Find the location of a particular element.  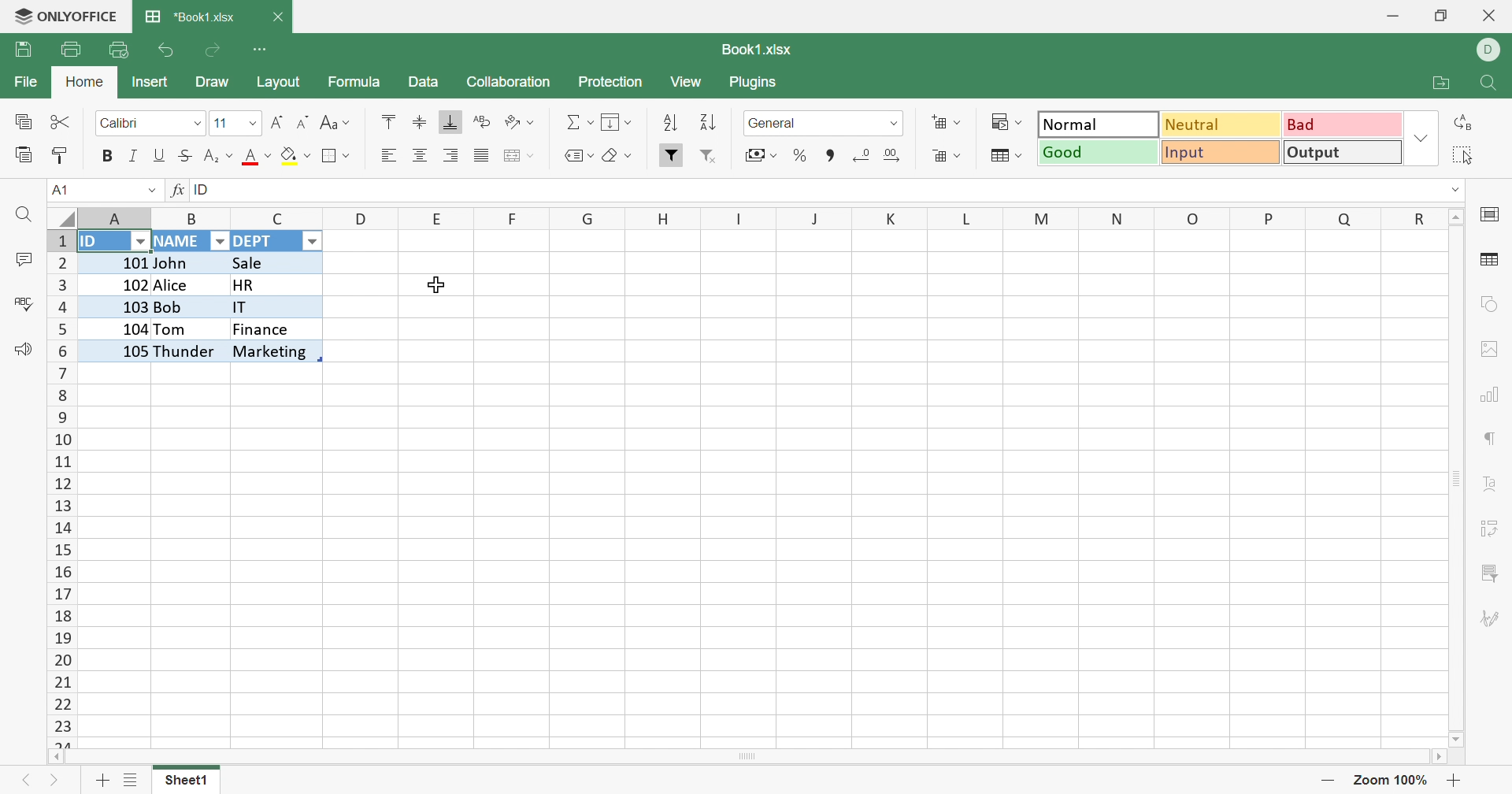

Align Right is located at coordinates (451, 155).